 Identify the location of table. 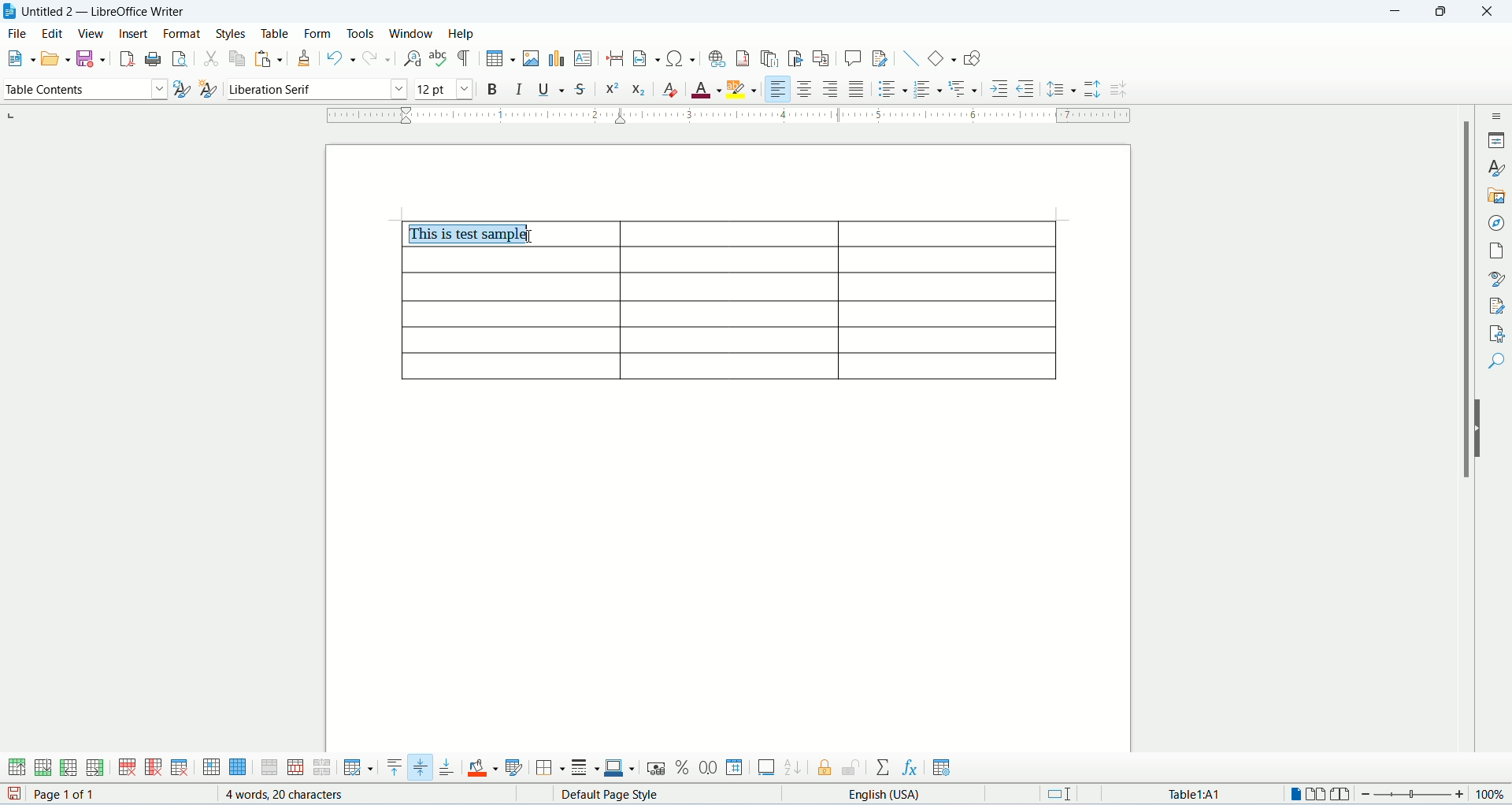
(280, 33).